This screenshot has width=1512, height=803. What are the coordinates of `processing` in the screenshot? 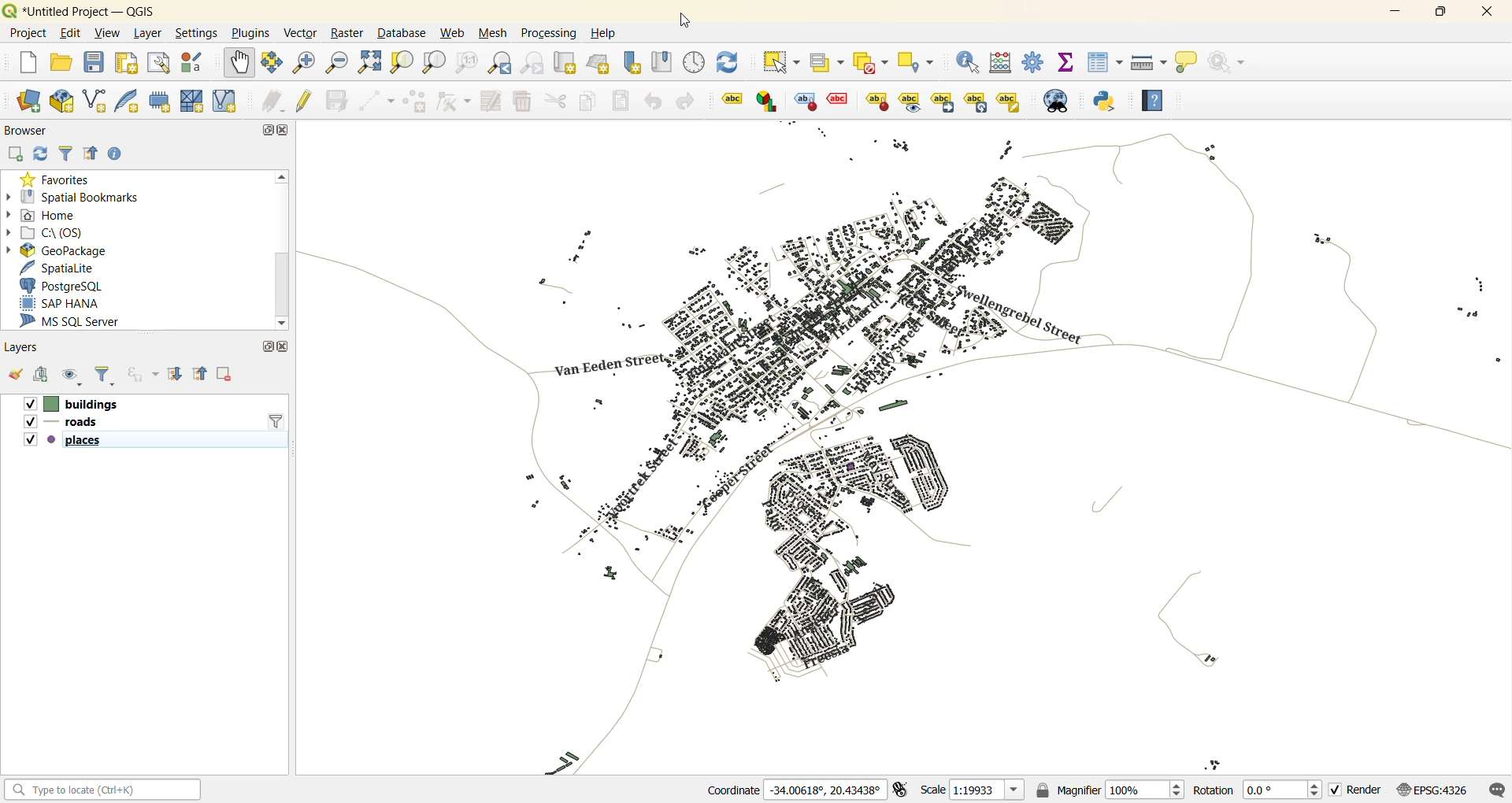 It's located at (551, 31).